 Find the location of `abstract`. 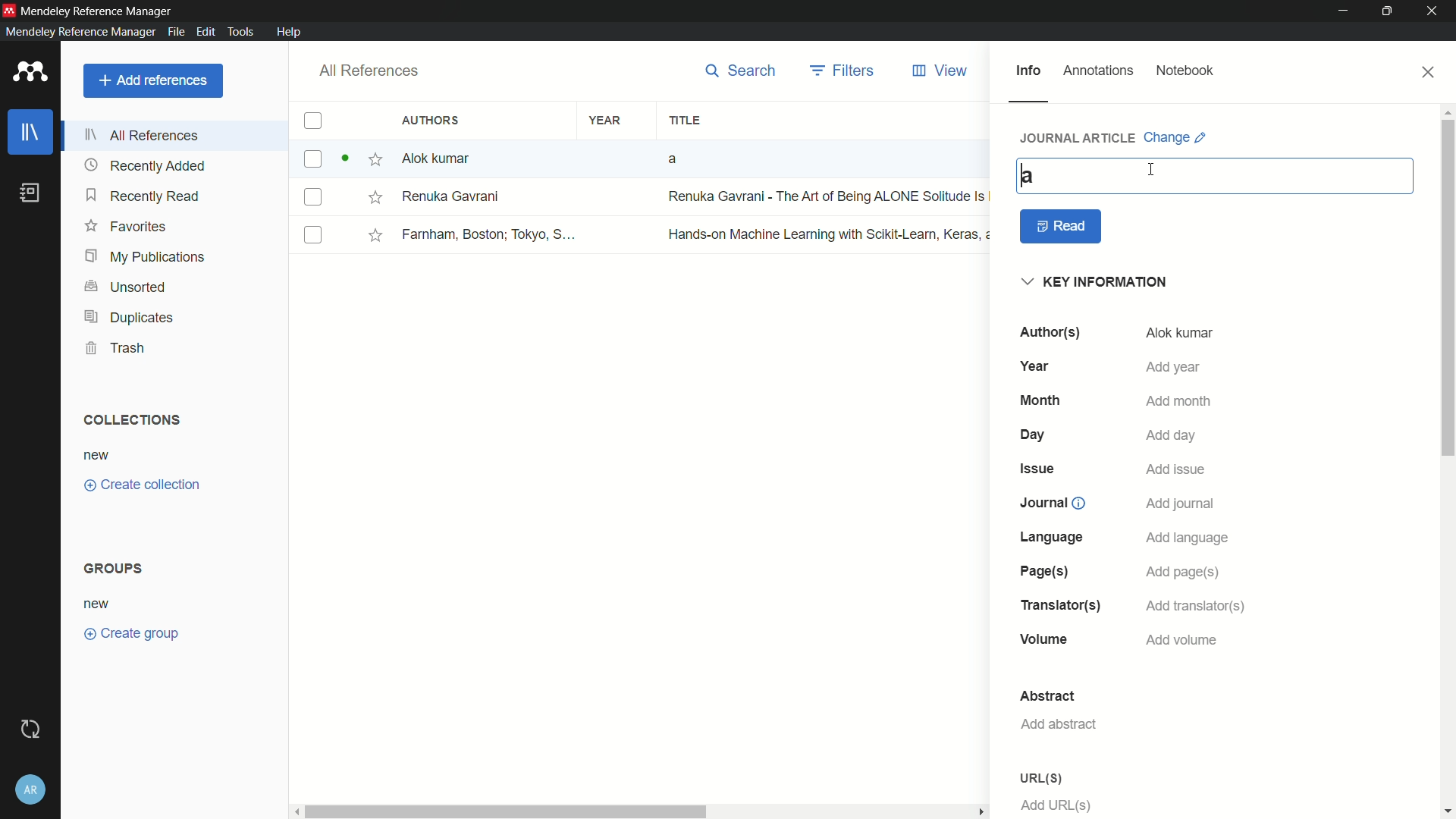

abstract is located at coordinates (1047, 696).